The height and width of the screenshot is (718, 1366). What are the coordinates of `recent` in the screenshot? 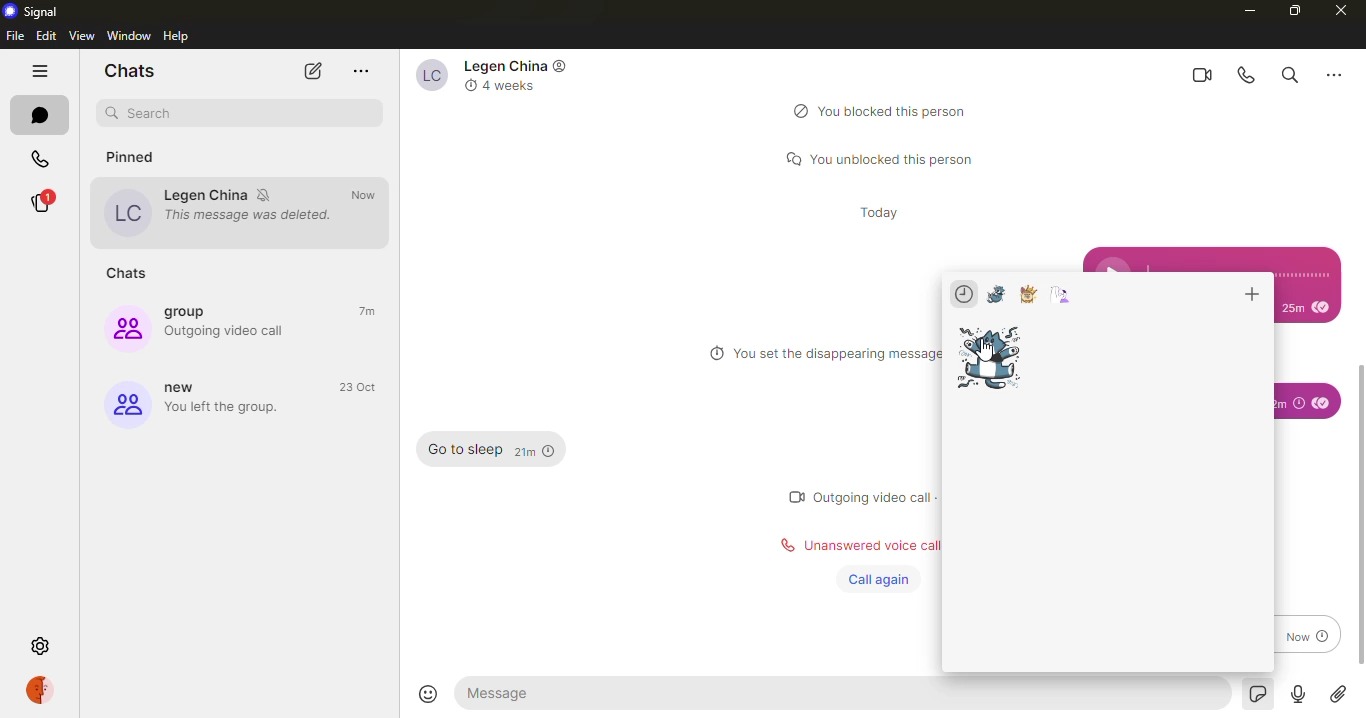 It's located at (964, 294).